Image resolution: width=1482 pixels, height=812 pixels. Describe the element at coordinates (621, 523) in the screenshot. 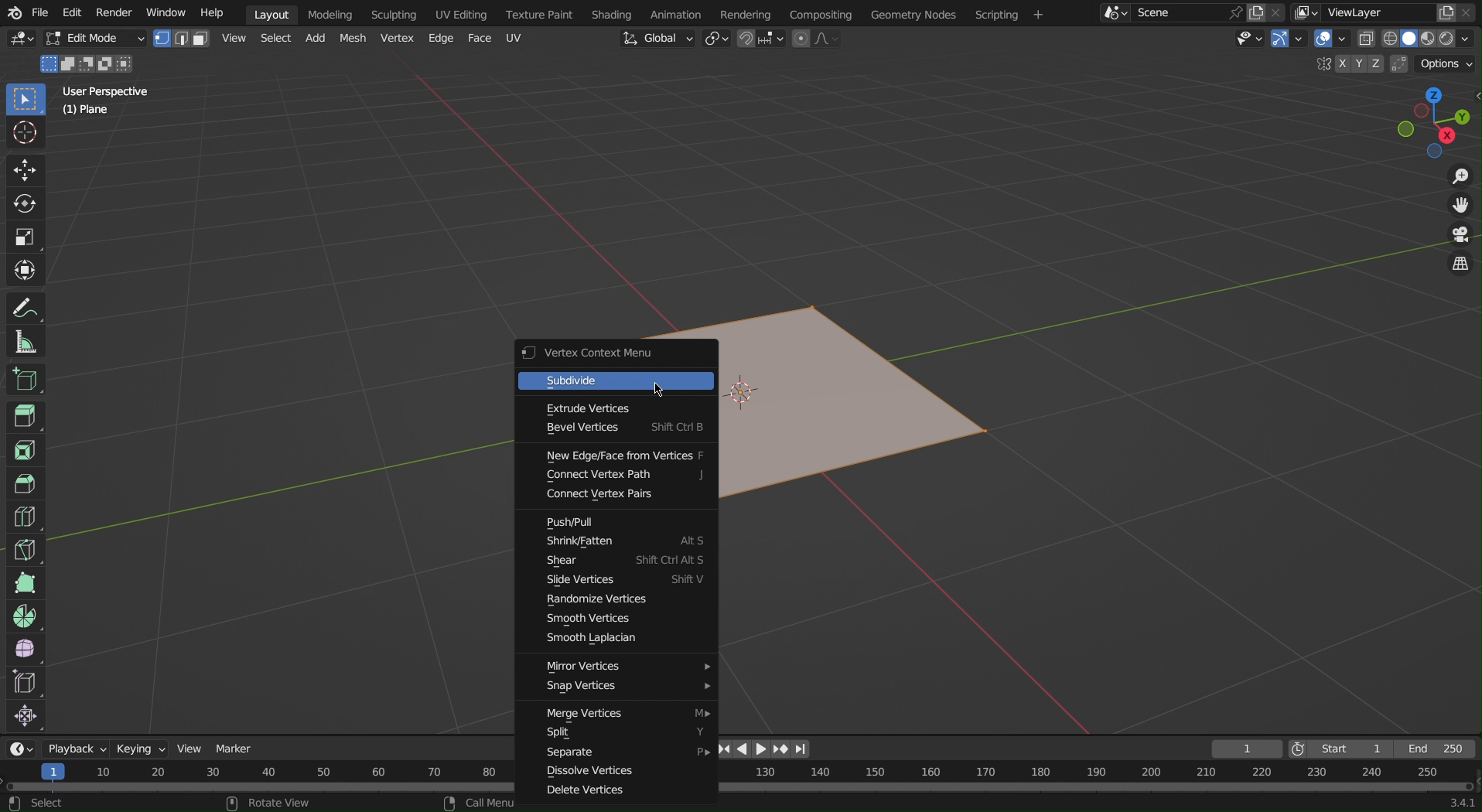

I see `Push/Pull` at that location.